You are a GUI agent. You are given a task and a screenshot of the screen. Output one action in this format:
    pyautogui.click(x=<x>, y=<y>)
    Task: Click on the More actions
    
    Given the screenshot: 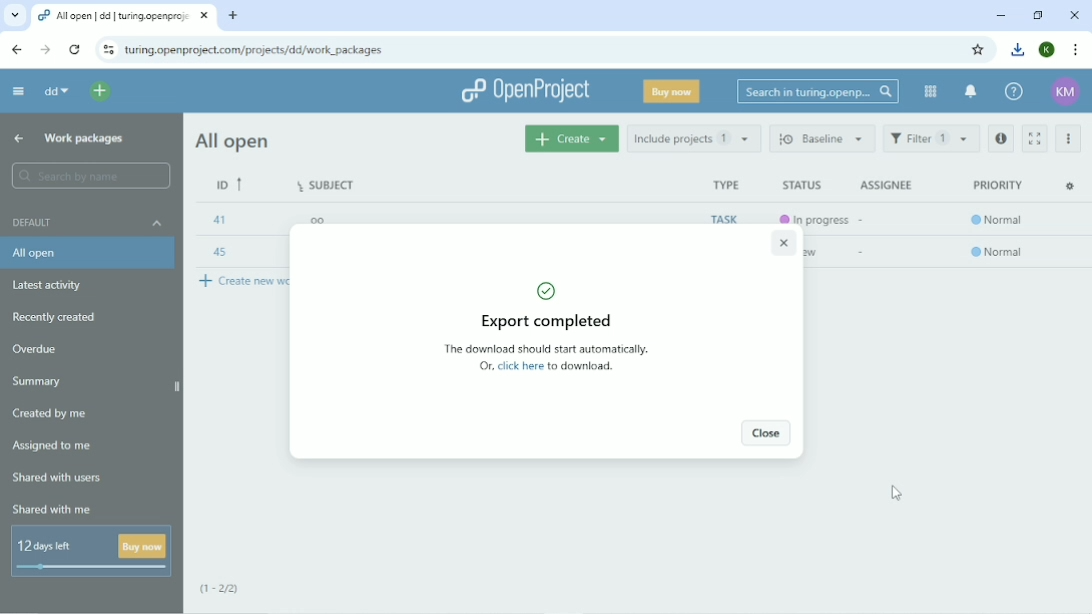 What is the action you would take?
    pyautogui.click(x=1068, y=140)
    